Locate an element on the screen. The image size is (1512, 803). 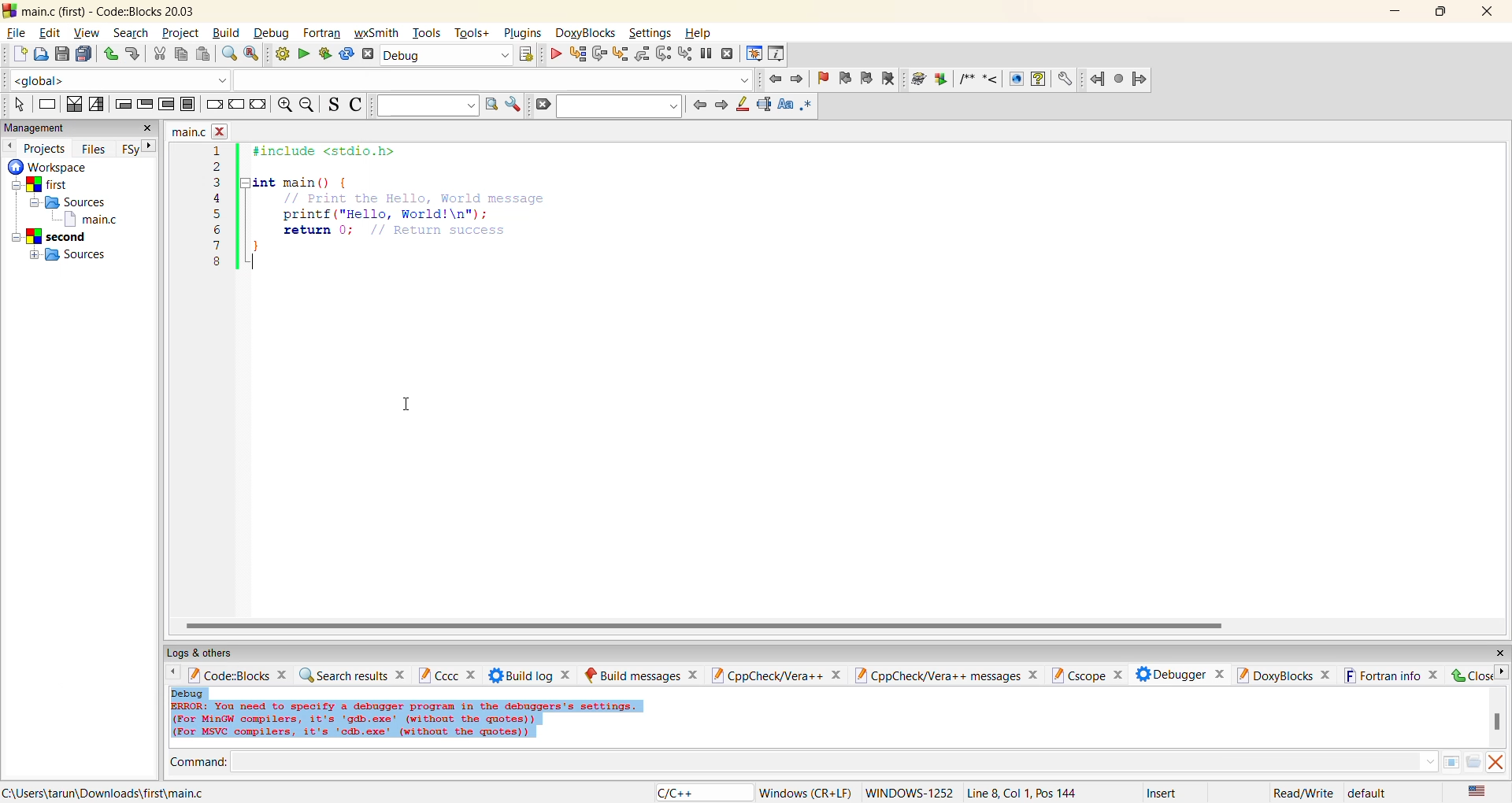
rebuild is located at coordinates (344, 55).